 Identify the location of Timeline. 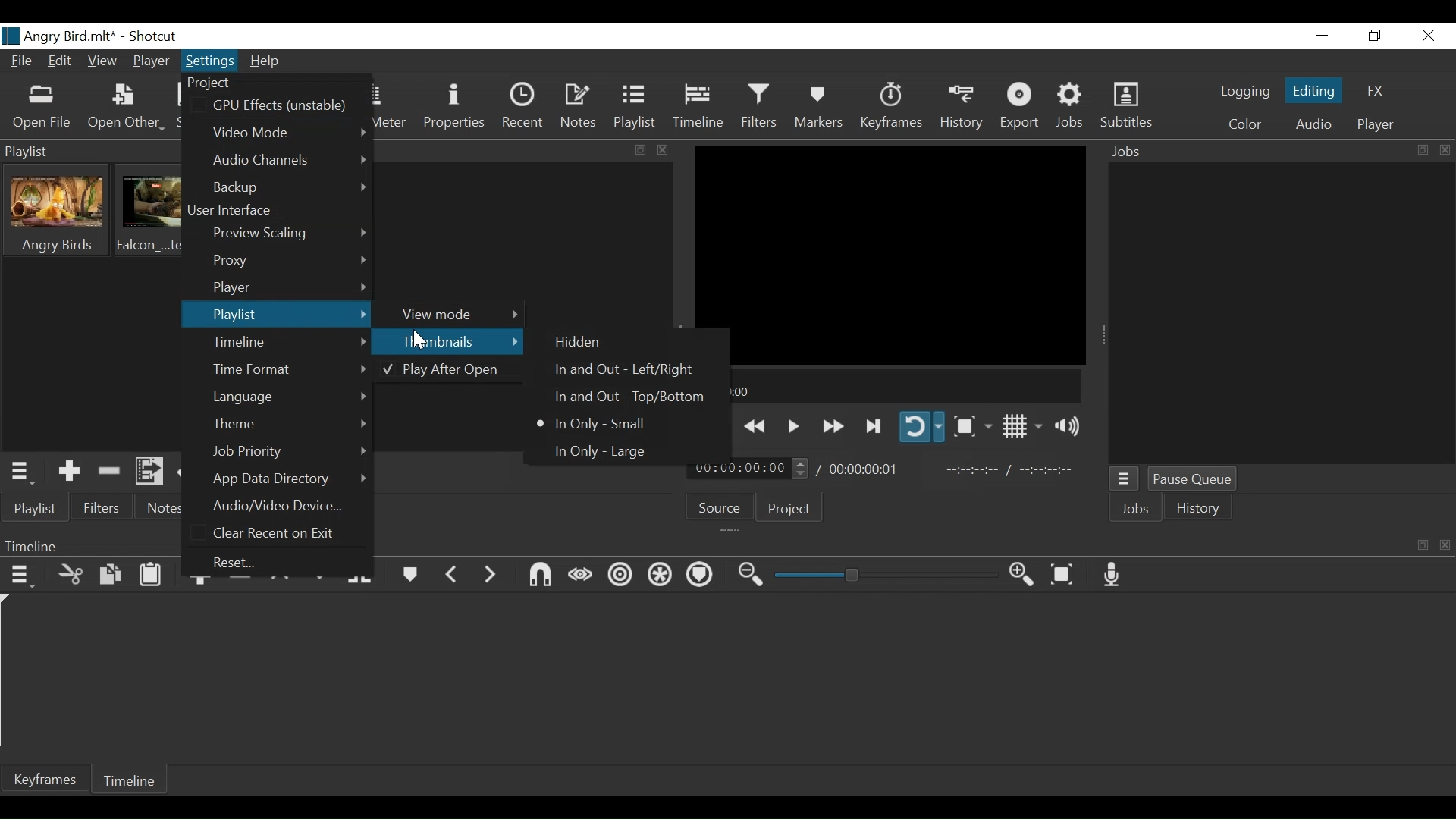
(698, 108).